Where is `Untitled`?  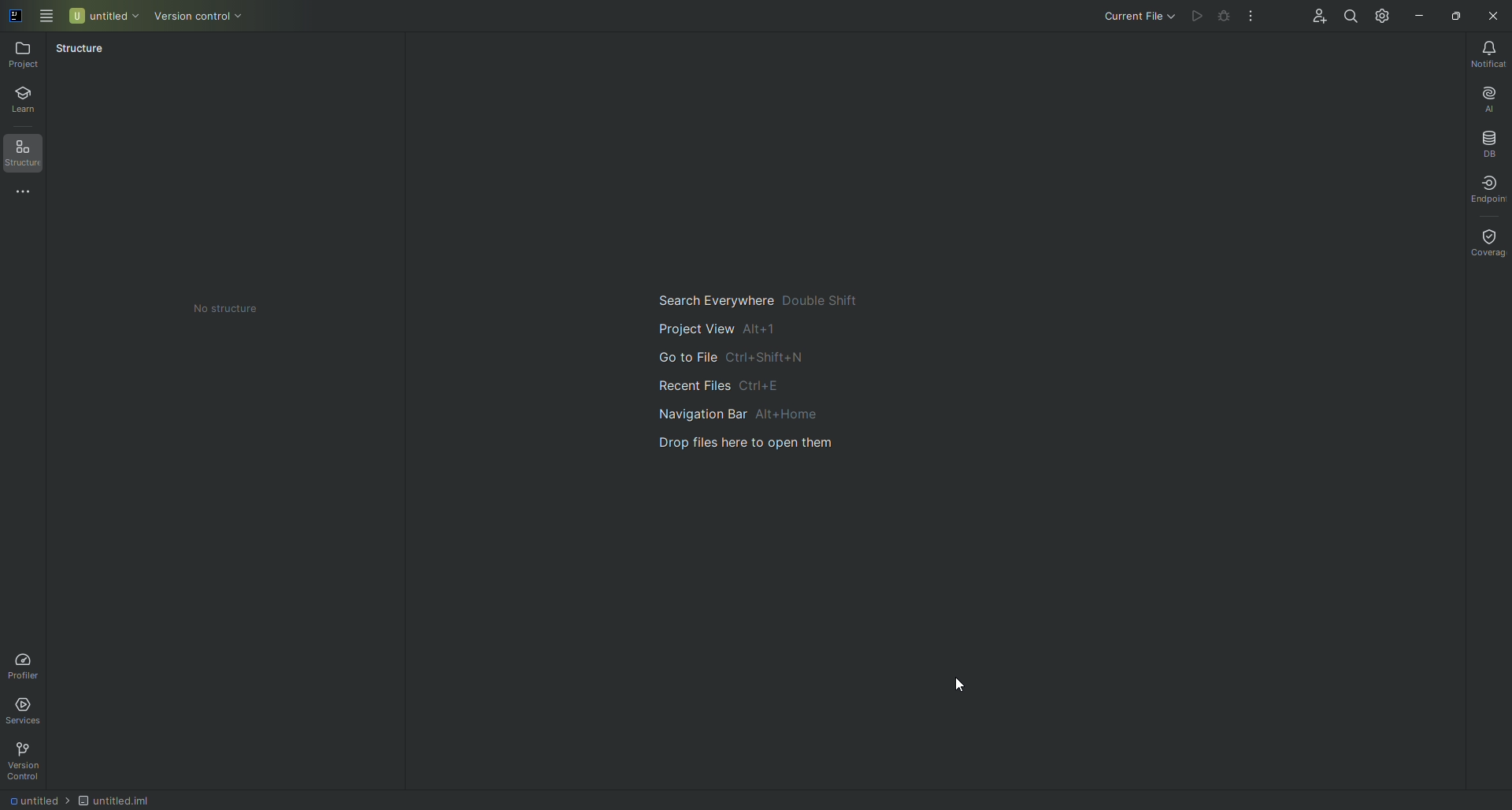 Untitled is located at coordinates (102, 17).